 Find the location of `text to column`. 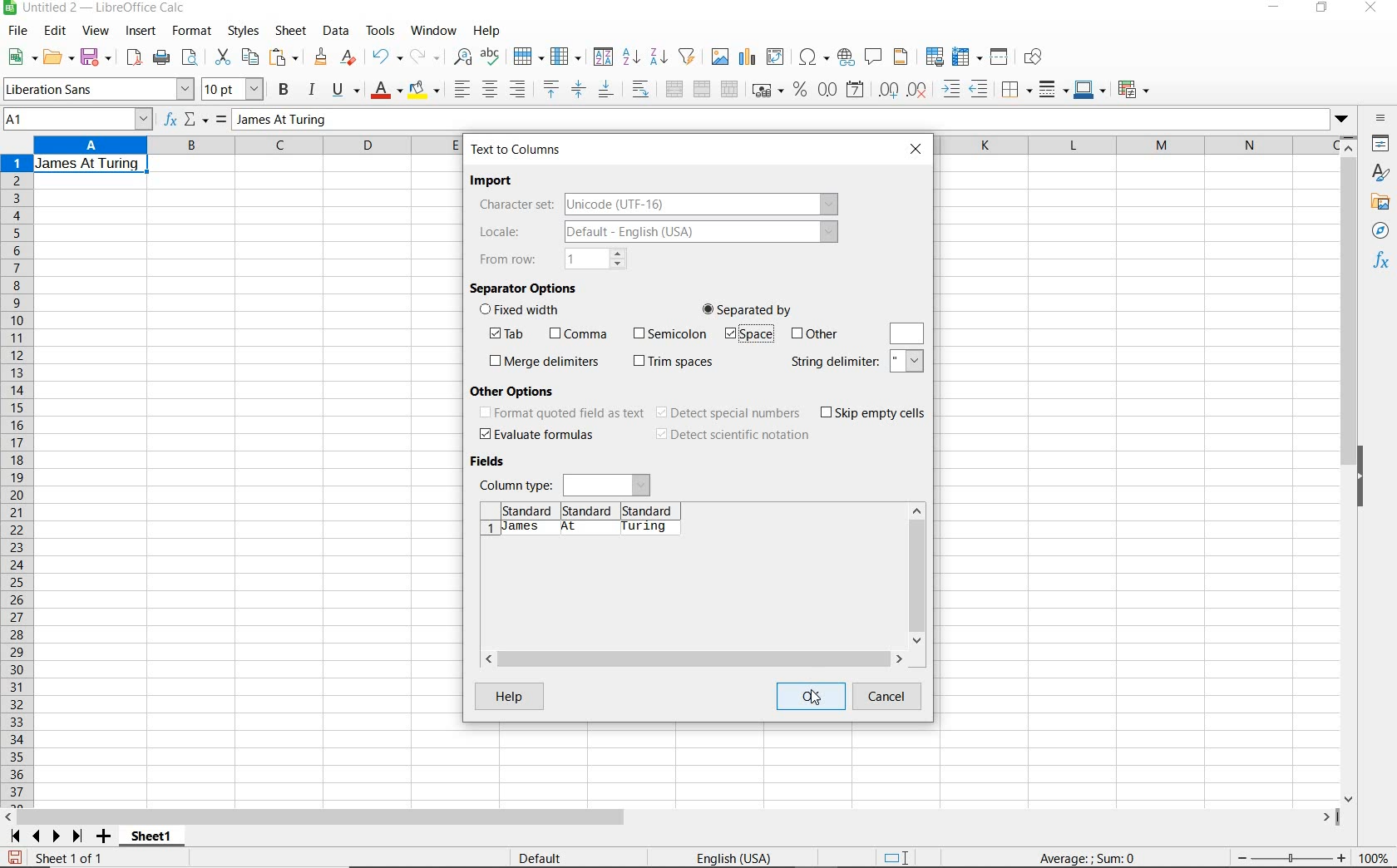

text to column is located at coordinates (517, 150).